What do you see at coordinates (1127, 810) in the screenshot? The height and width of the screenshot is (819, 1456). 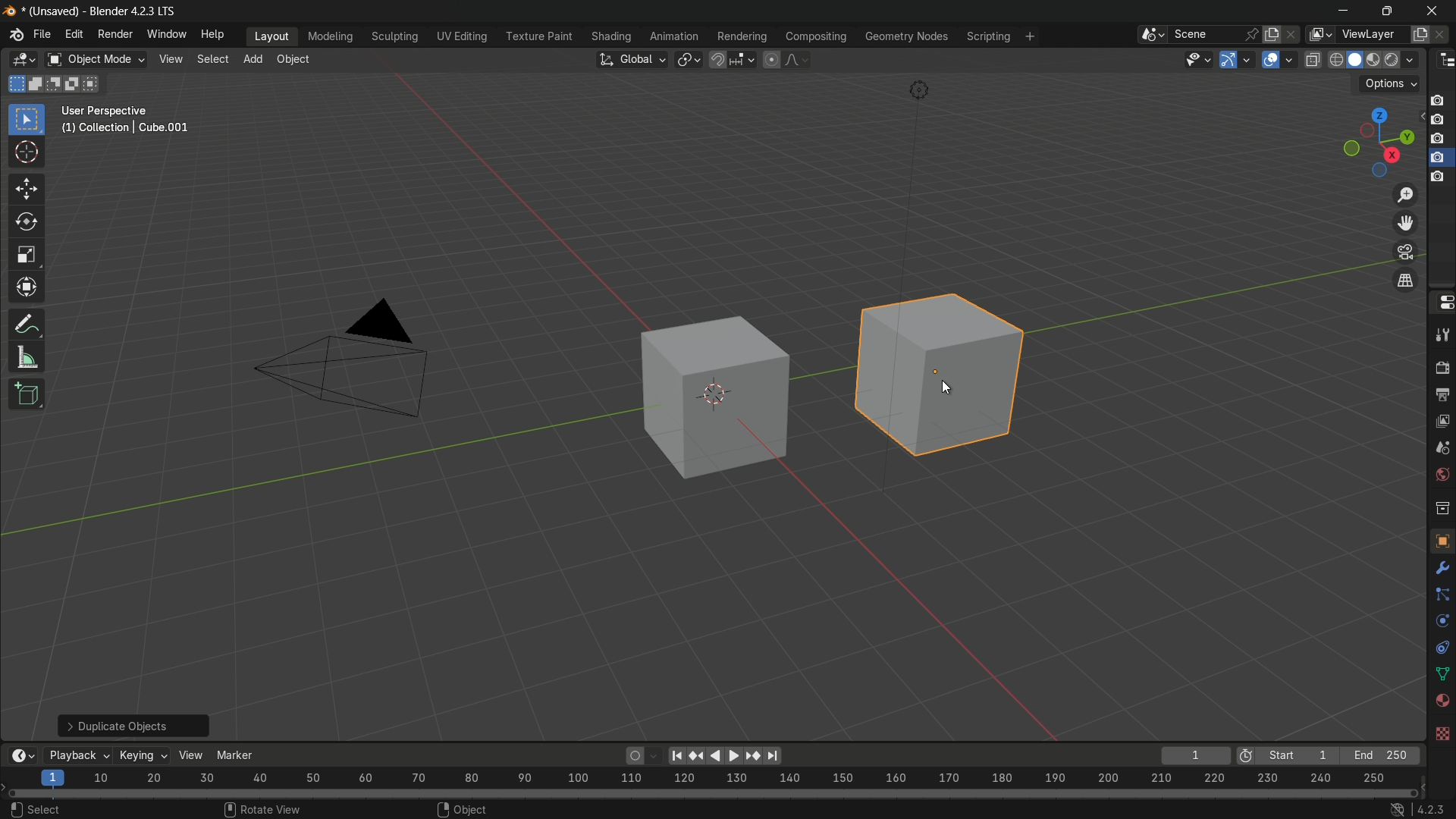 I see `Precision Mode` at bounding box center [1127, 810].